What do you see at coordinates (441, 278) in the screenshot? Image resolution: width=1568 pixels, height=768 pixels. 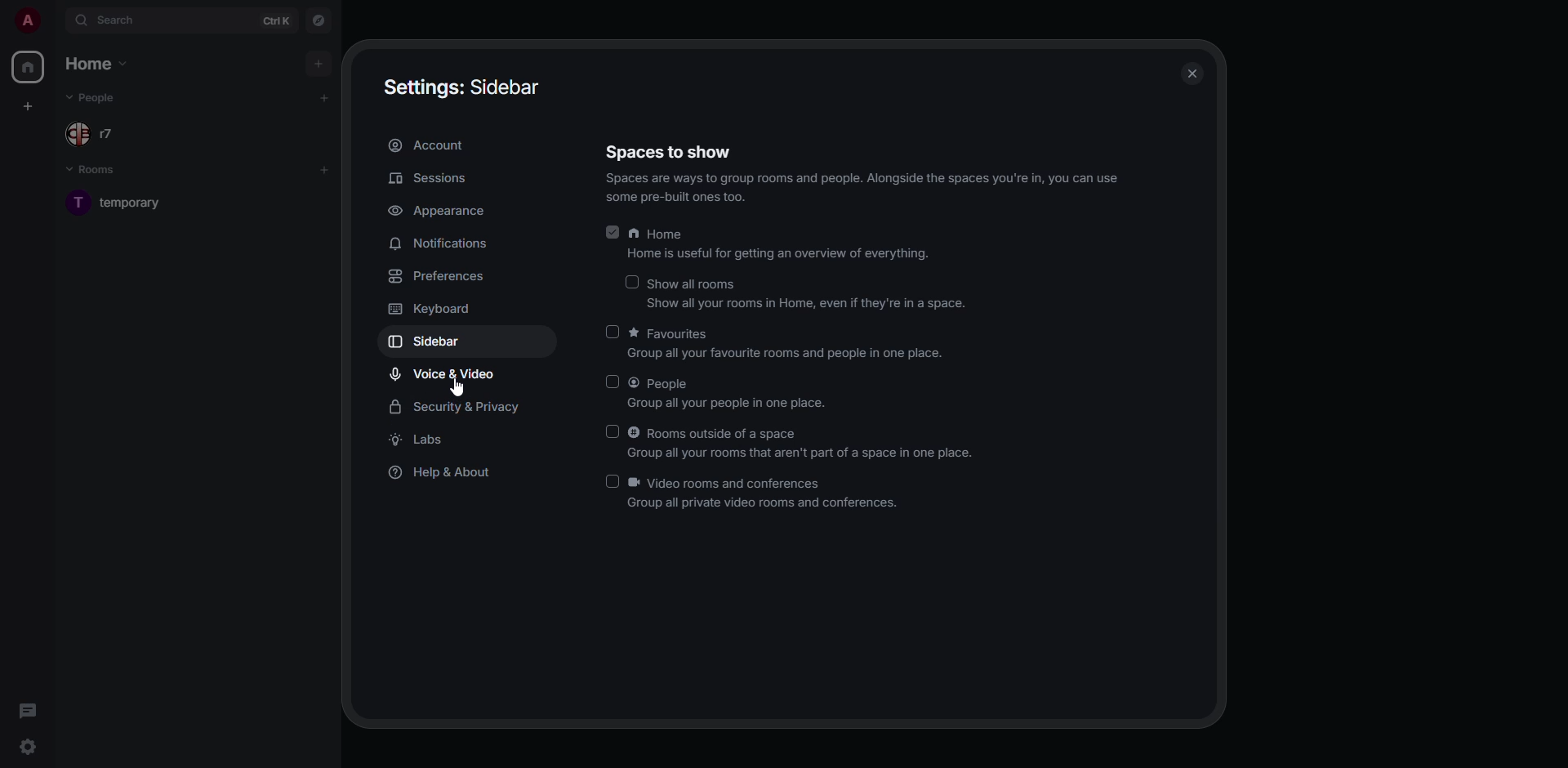 I see `preferences` at bounding box center [441, 278].